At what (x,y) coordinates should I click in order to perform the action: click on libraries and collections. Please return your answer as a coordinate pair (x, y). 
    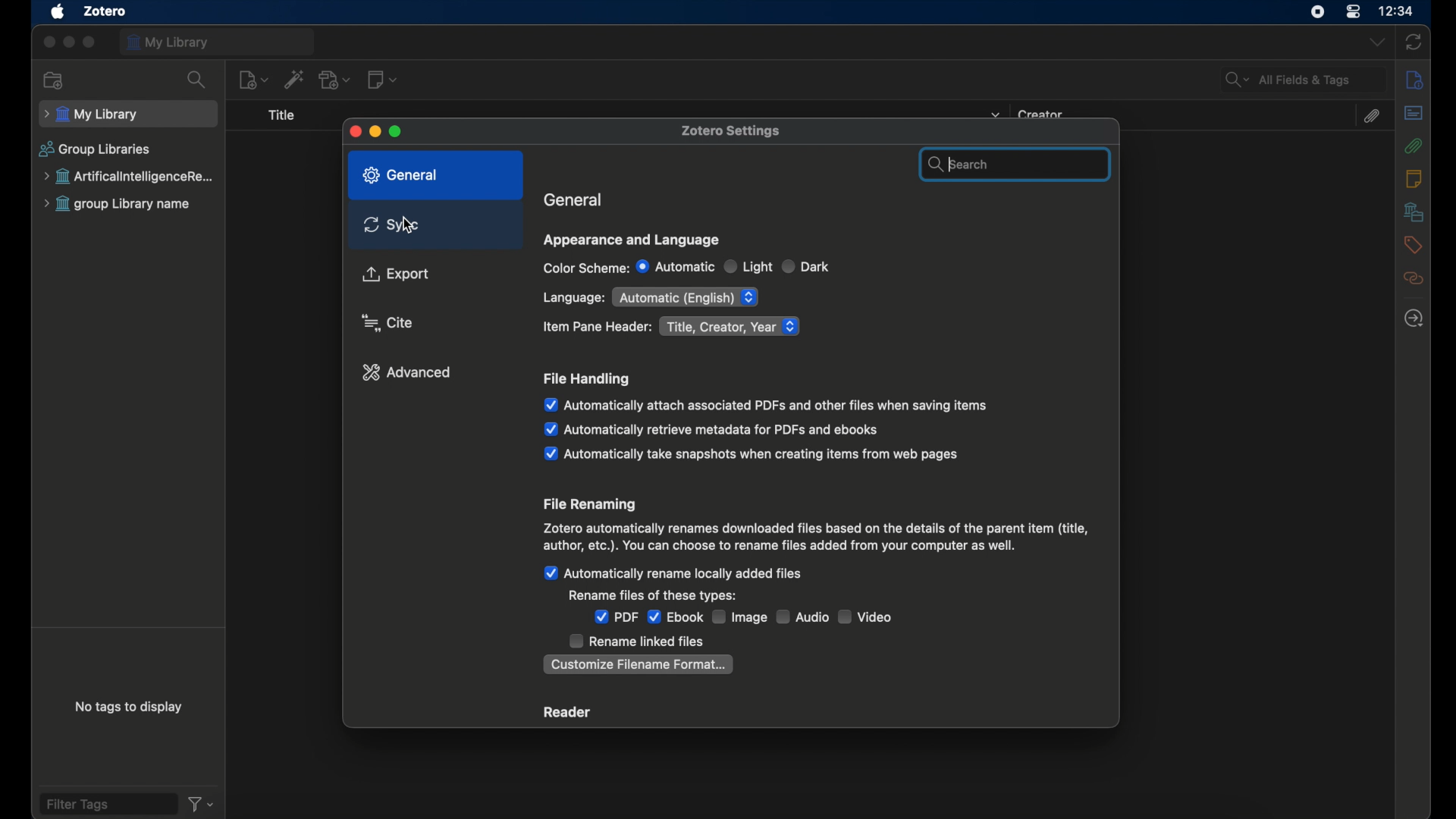
    Looking at the image, I should click on (1412, 212).